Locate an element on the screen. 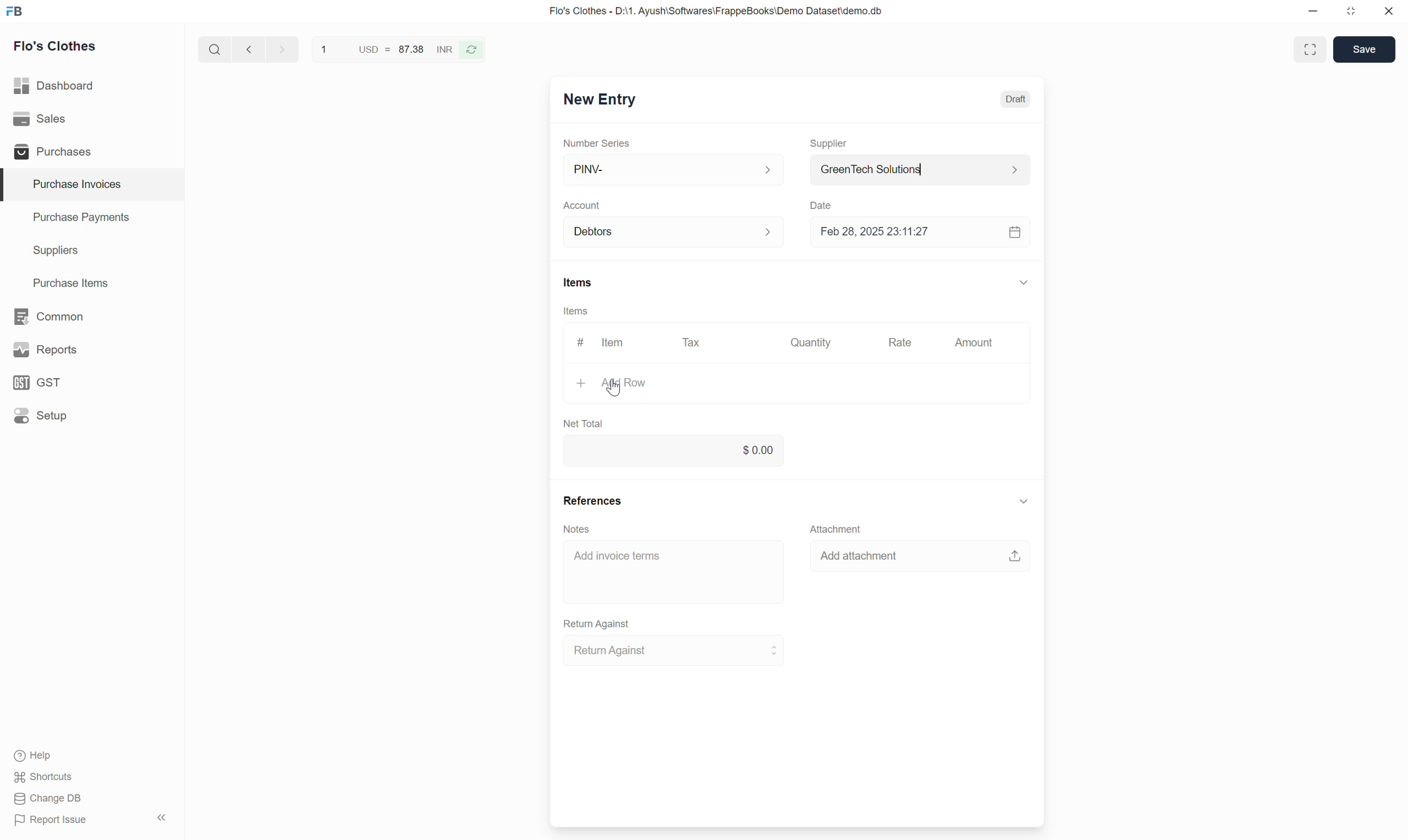 This screenshot has width=1408, height=840. Frappe Books logo is located at coordinates (14, 11).